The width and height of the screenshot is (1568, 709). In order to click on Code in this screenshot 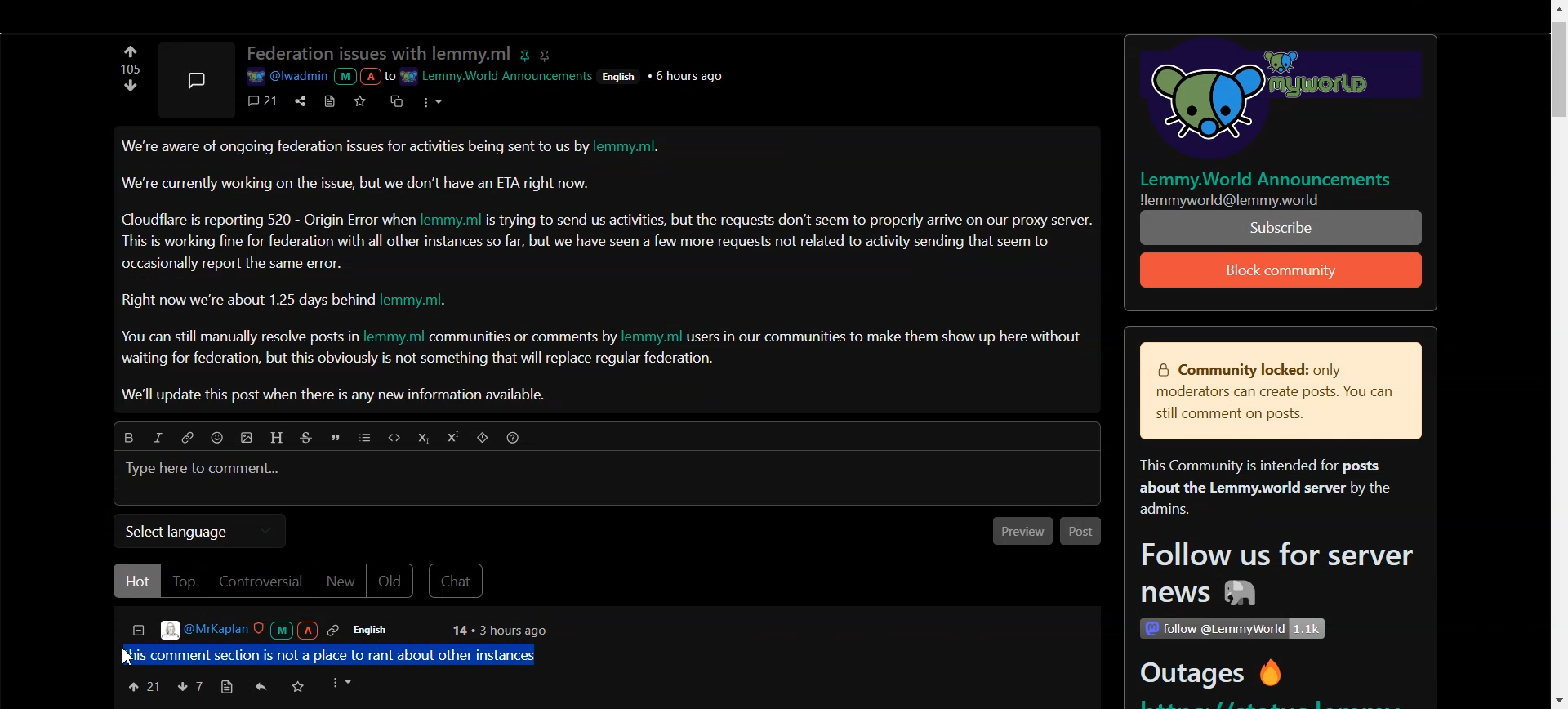, I will do `click(392, 437)`.